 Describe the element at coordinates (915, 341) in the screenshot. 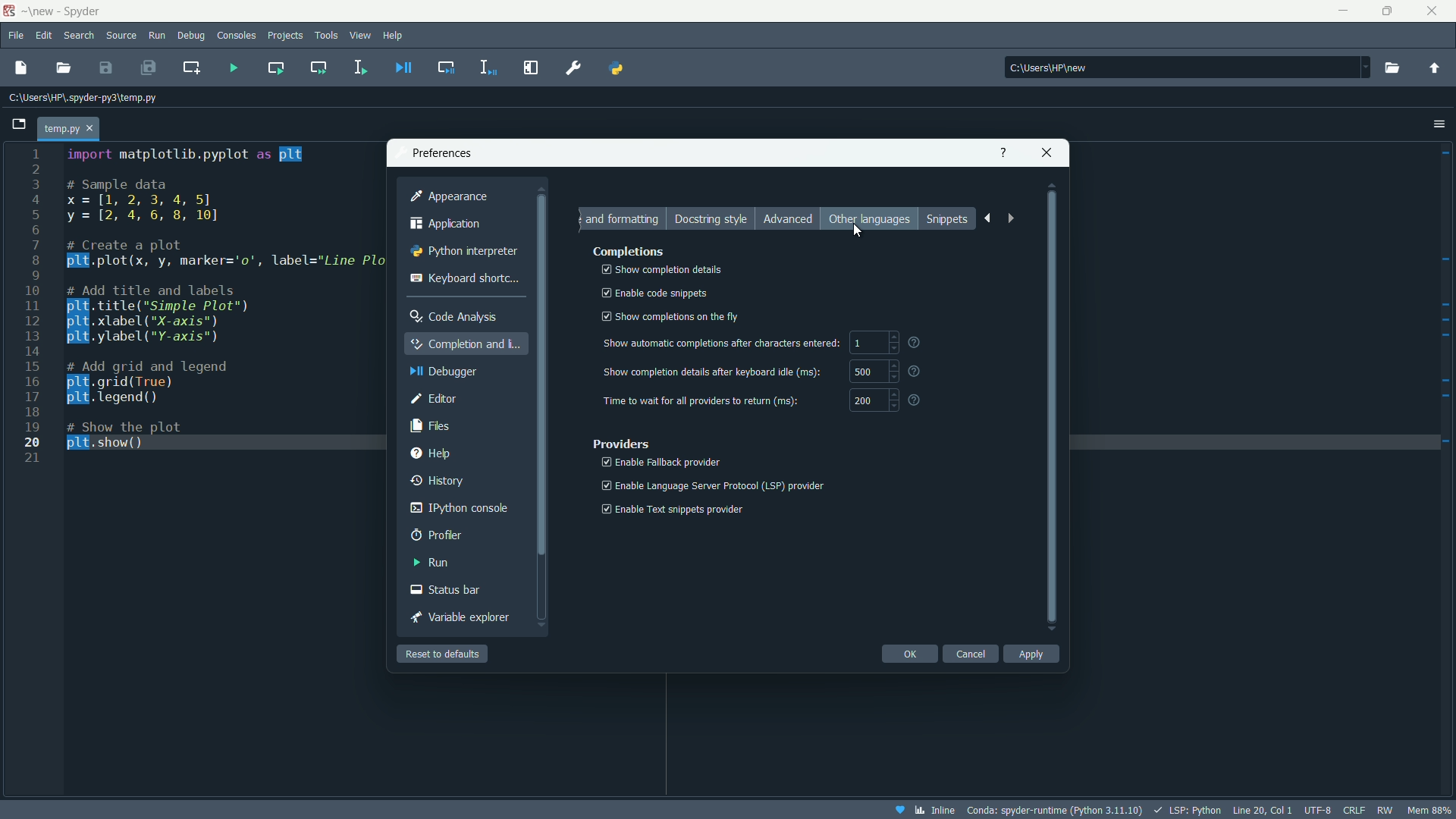

I see `question mark` at that location.